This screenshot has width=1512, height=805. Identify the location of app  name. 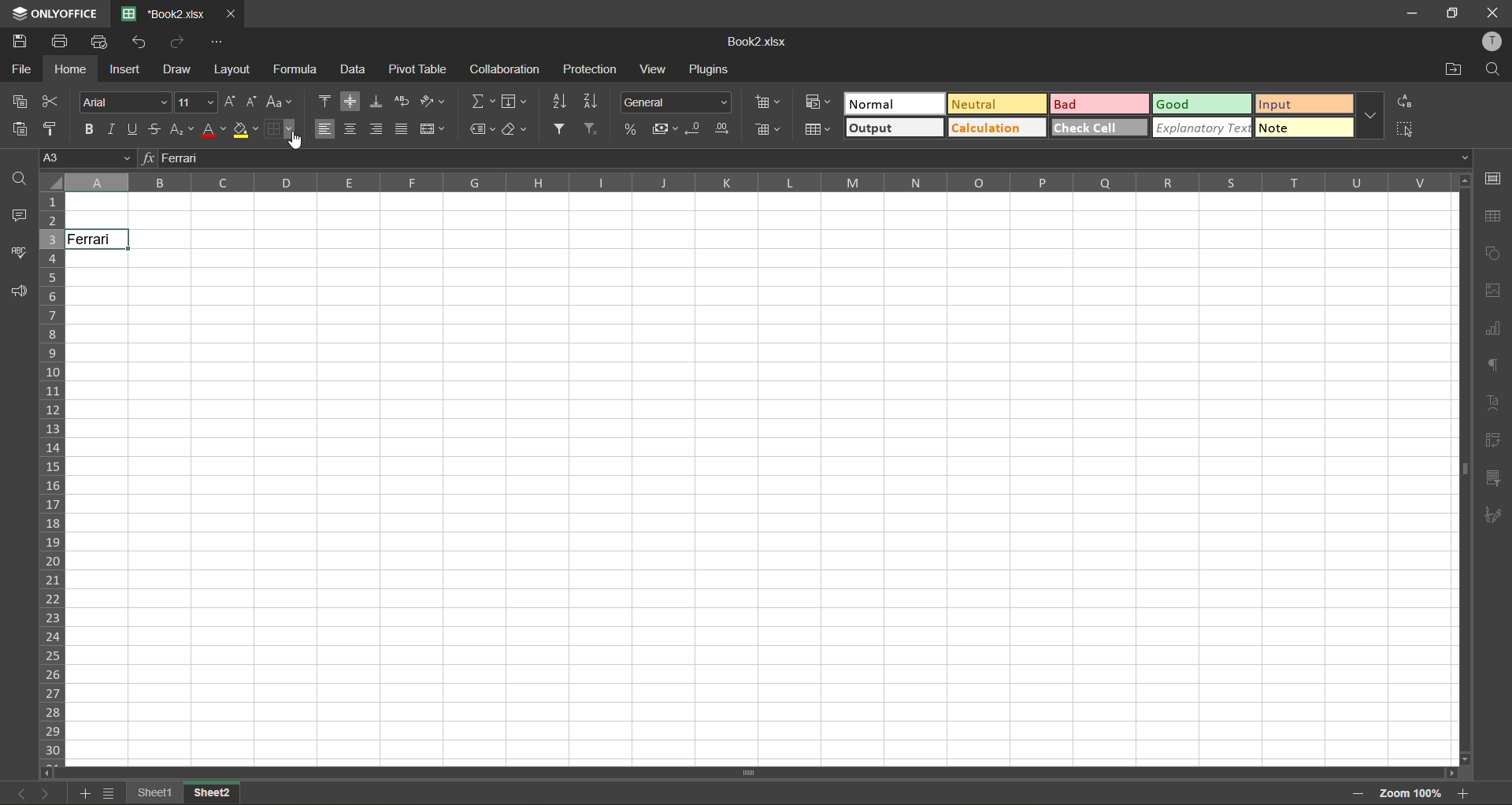
(50, 12).